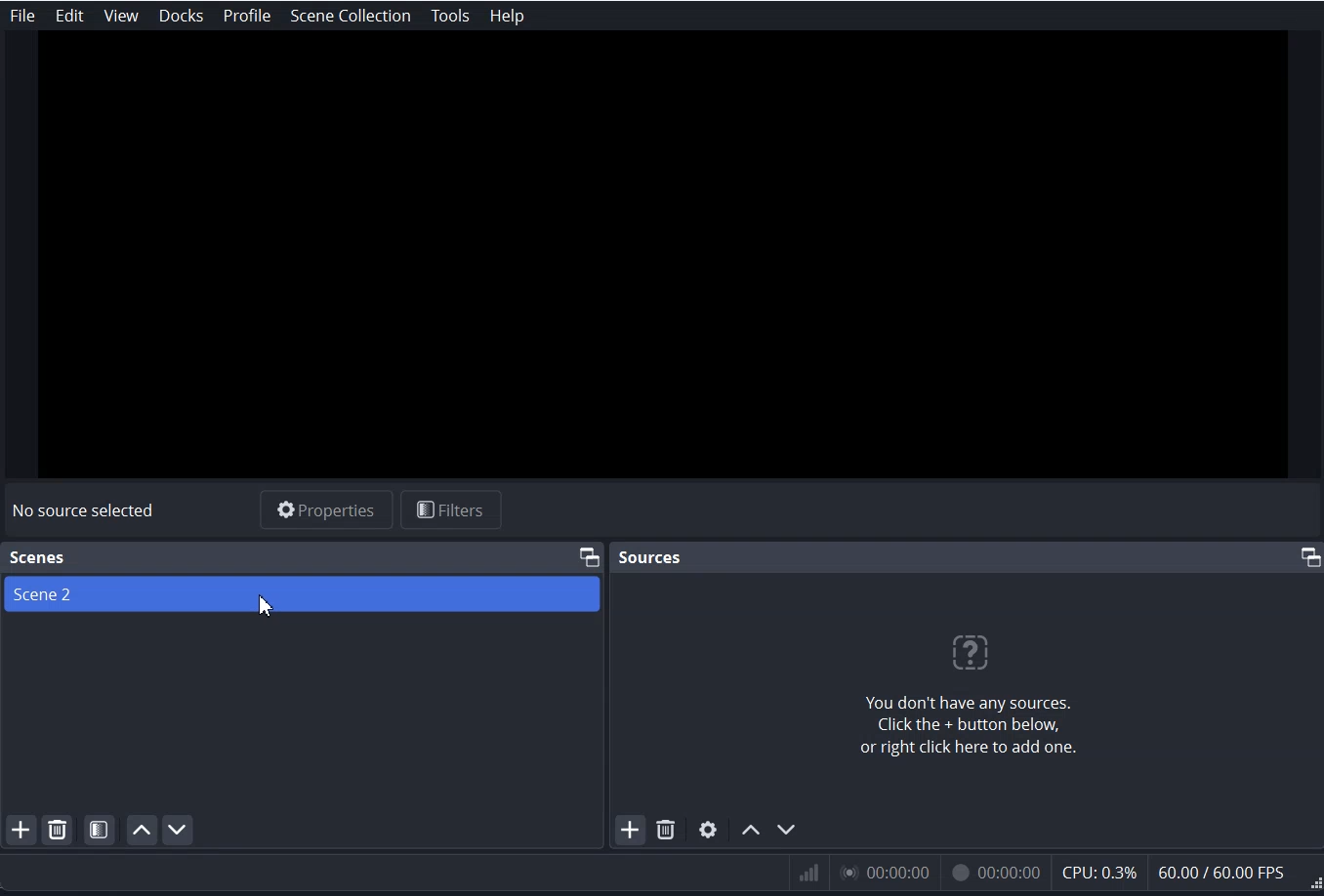  What do you see at coordinates (452, 509) in the screenshot?
I see `Filters` at bounding box center [452, 509].